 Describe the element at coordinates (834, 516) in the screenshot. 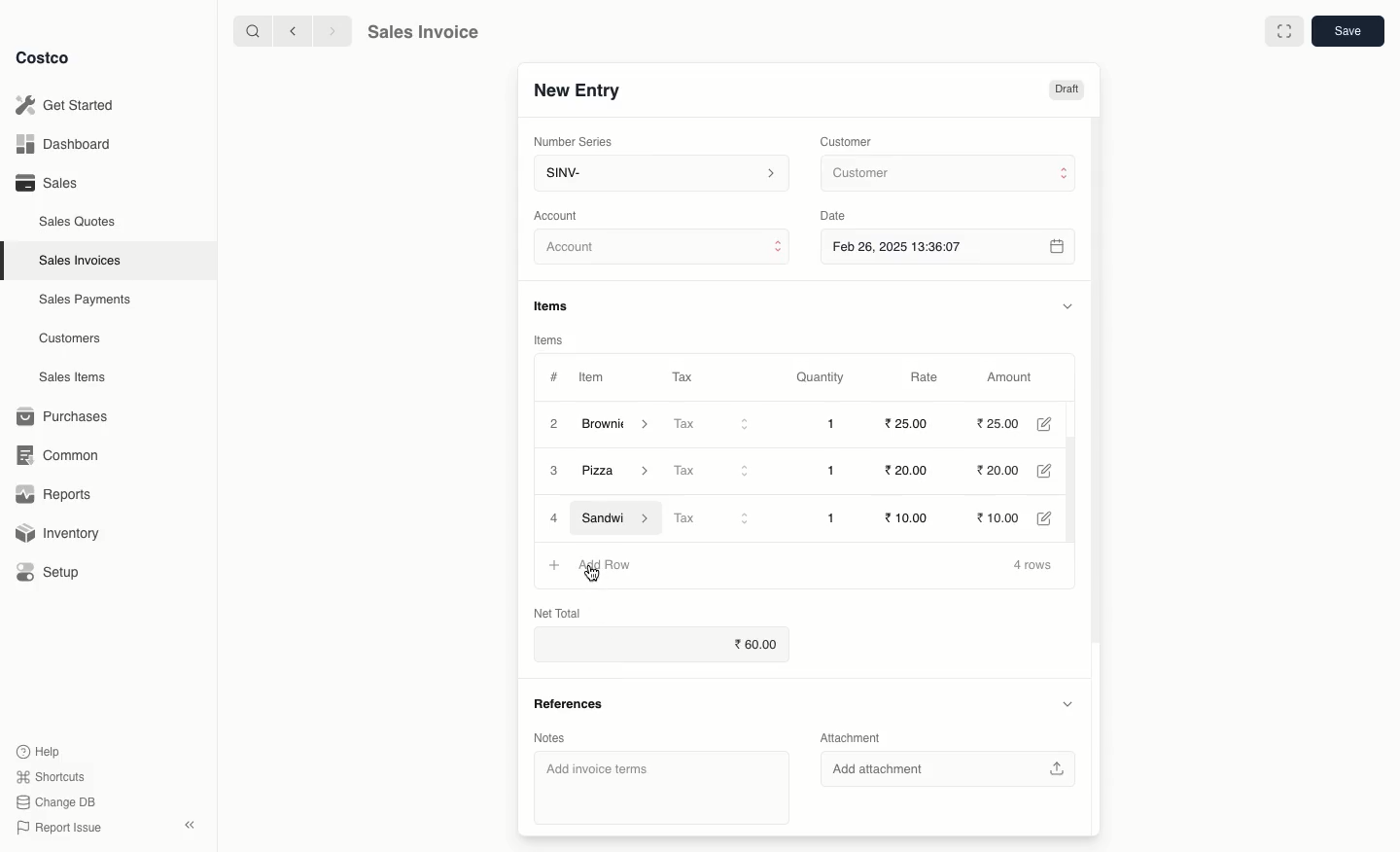

I see `1` at that location.